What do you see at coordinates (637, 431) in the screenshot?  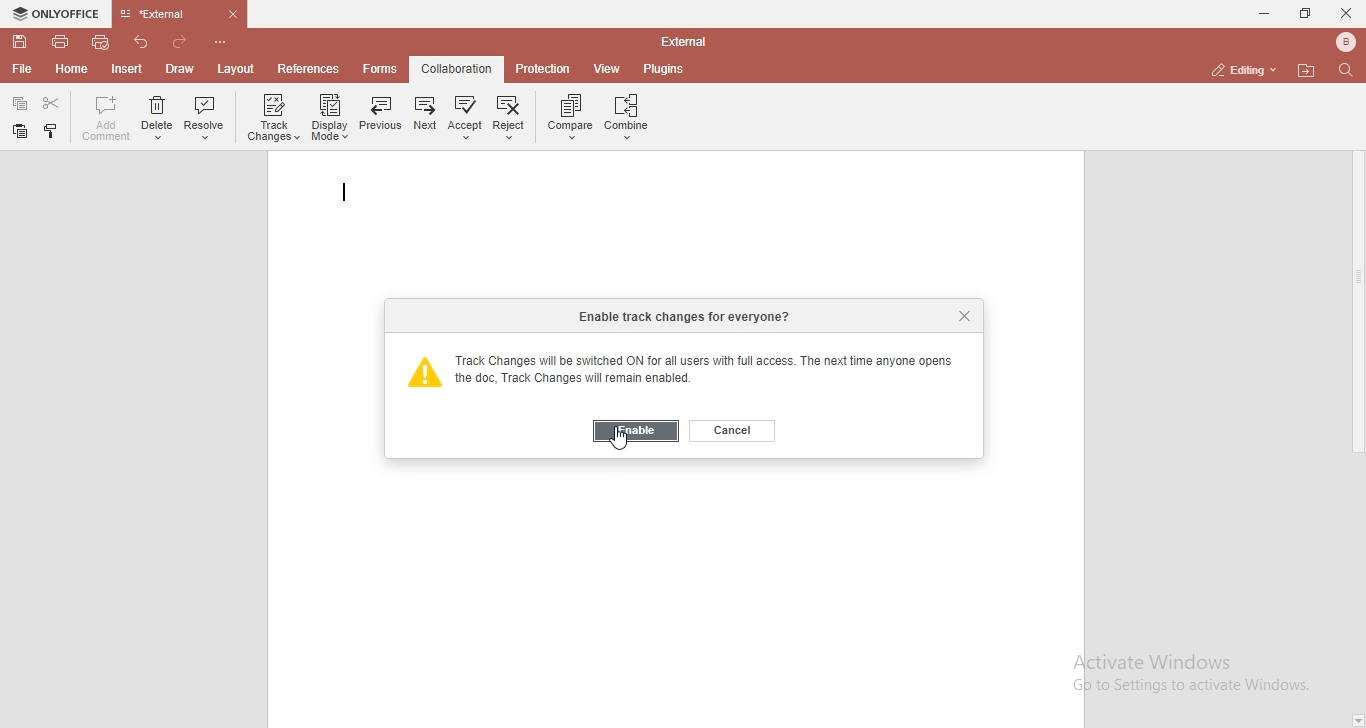 I see `enable` at bounding box center [637, 431].